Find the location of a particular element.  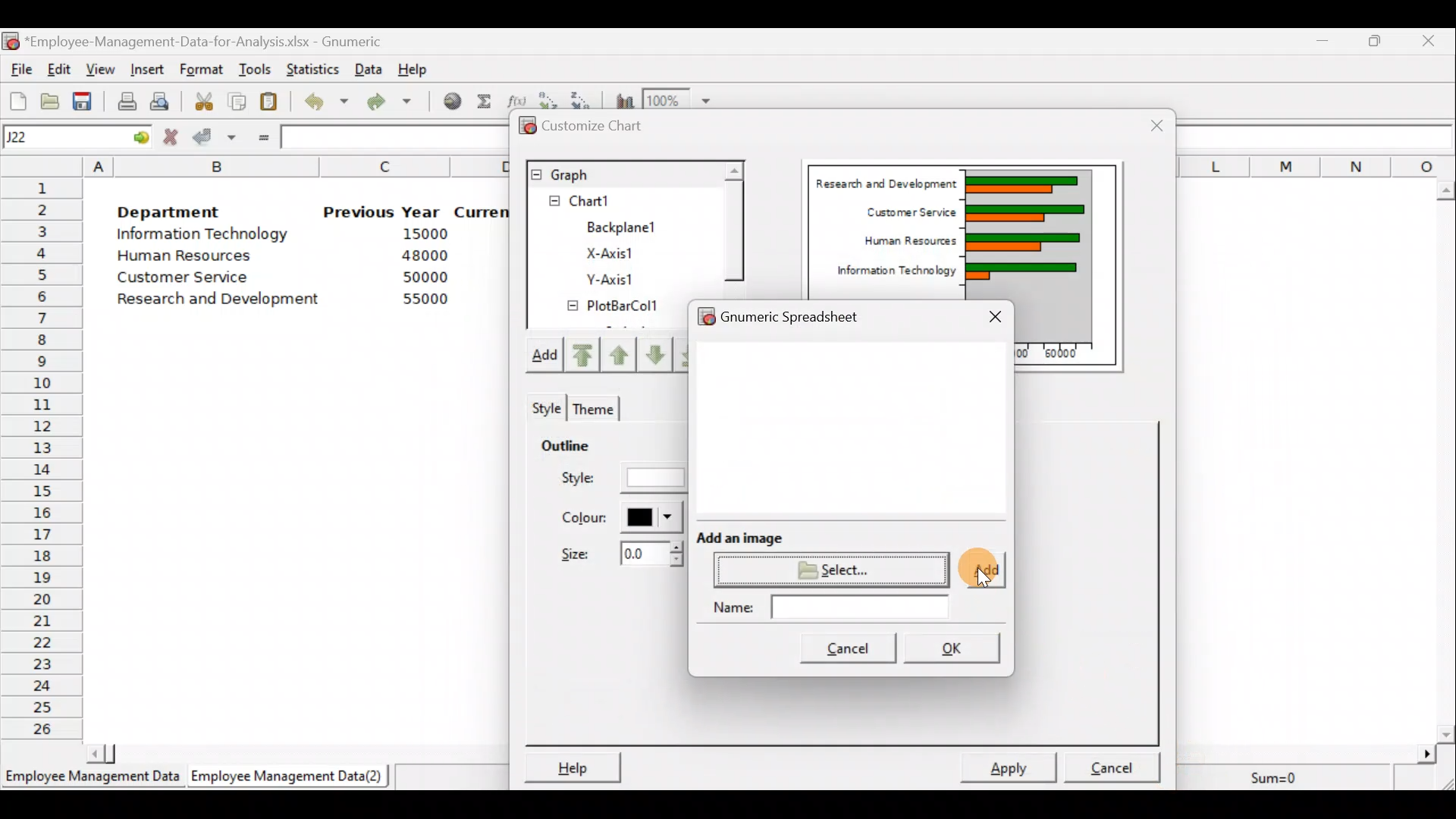

55000 is located at coordinates (423, 300).